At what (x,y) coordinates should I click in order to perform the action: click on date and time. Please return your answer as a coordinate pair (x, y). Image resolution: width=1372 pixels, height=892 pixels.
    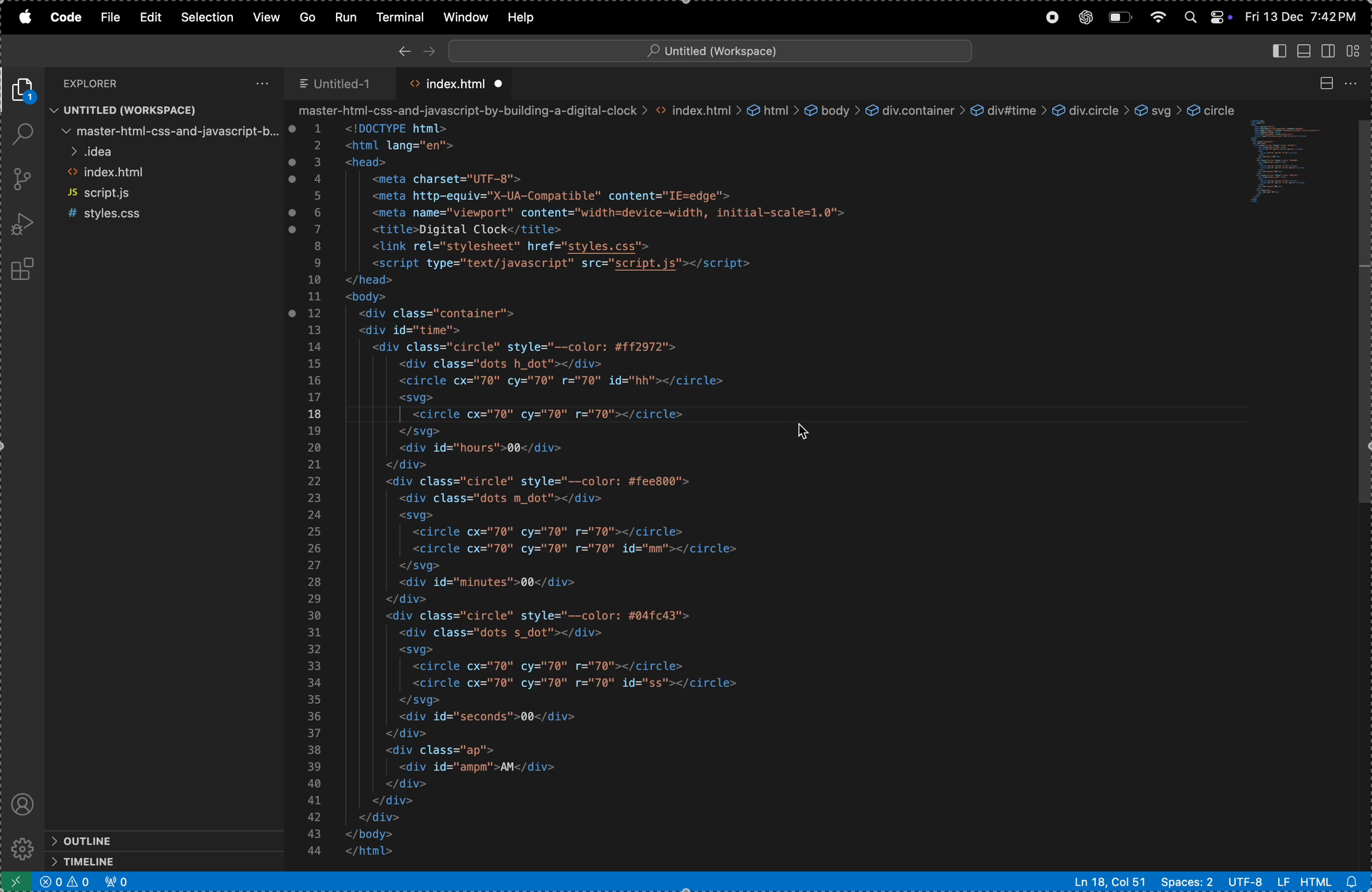
    Looking at the image, I should click on (1302, 17).